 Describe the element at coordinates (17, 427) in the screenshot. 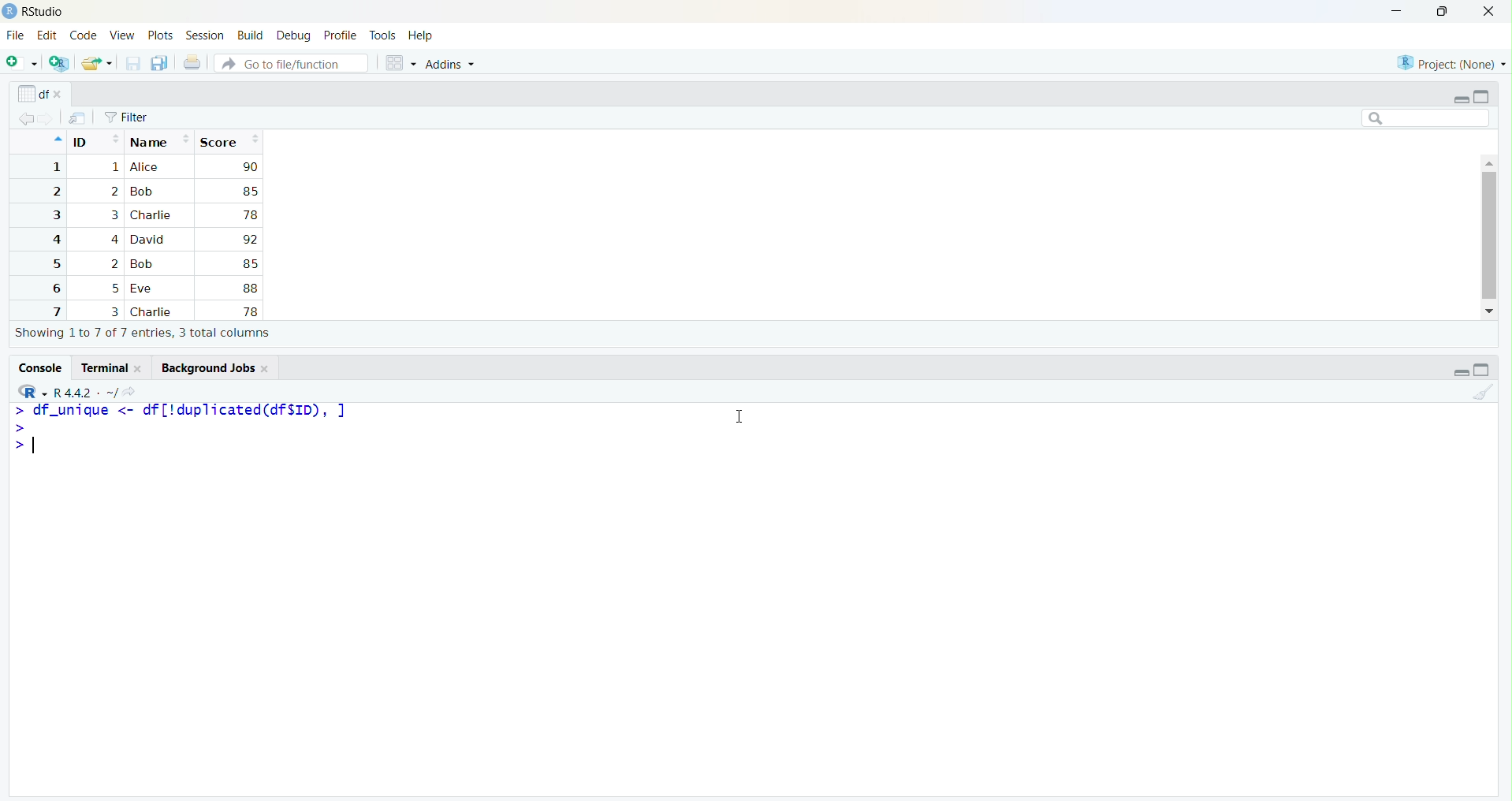

I see `start typing` at that location.